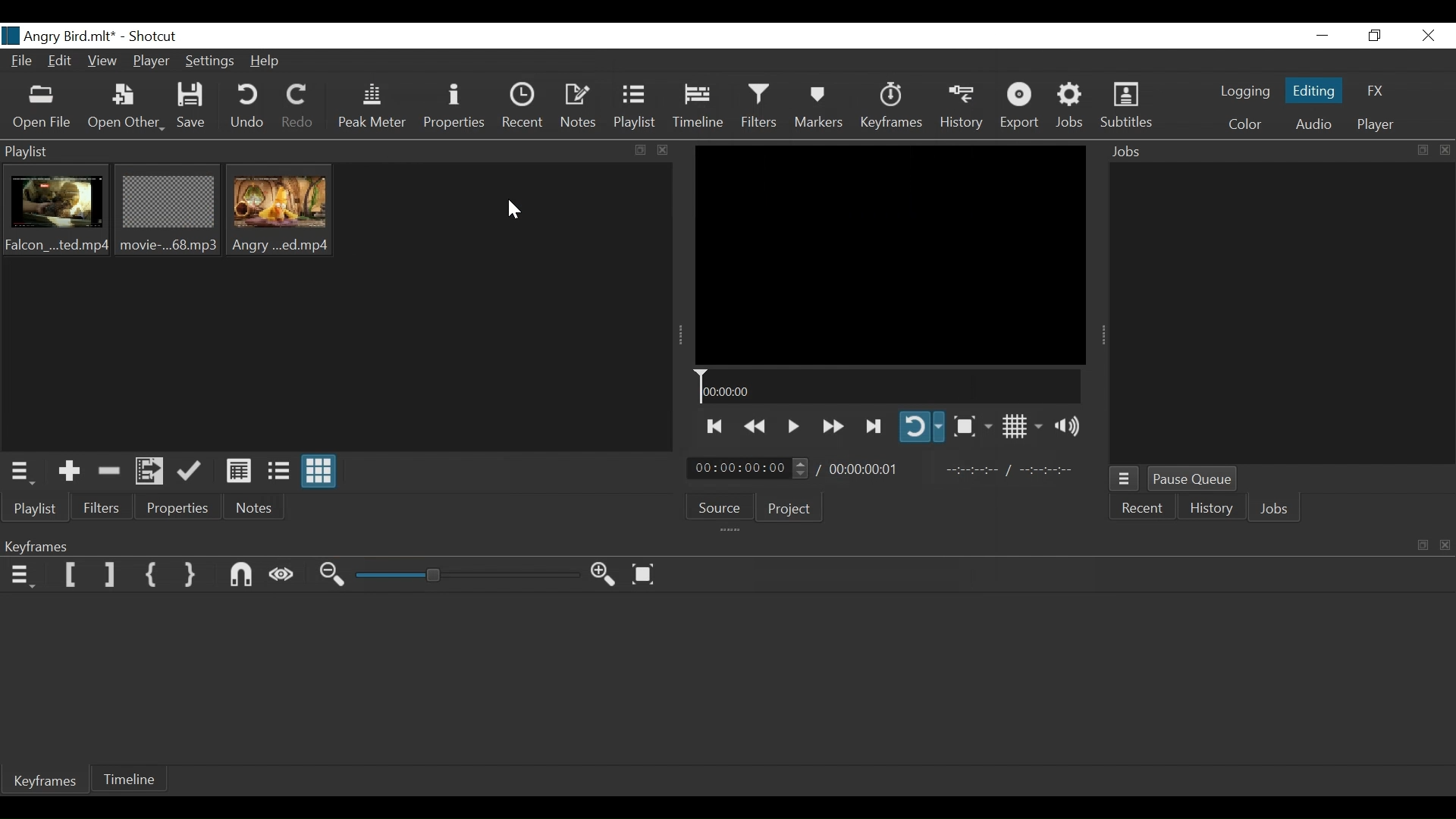 The image size is (1456, 819). Describe the element at coordinates (759, 107) in the screenshot. I see `Filters` at that location.